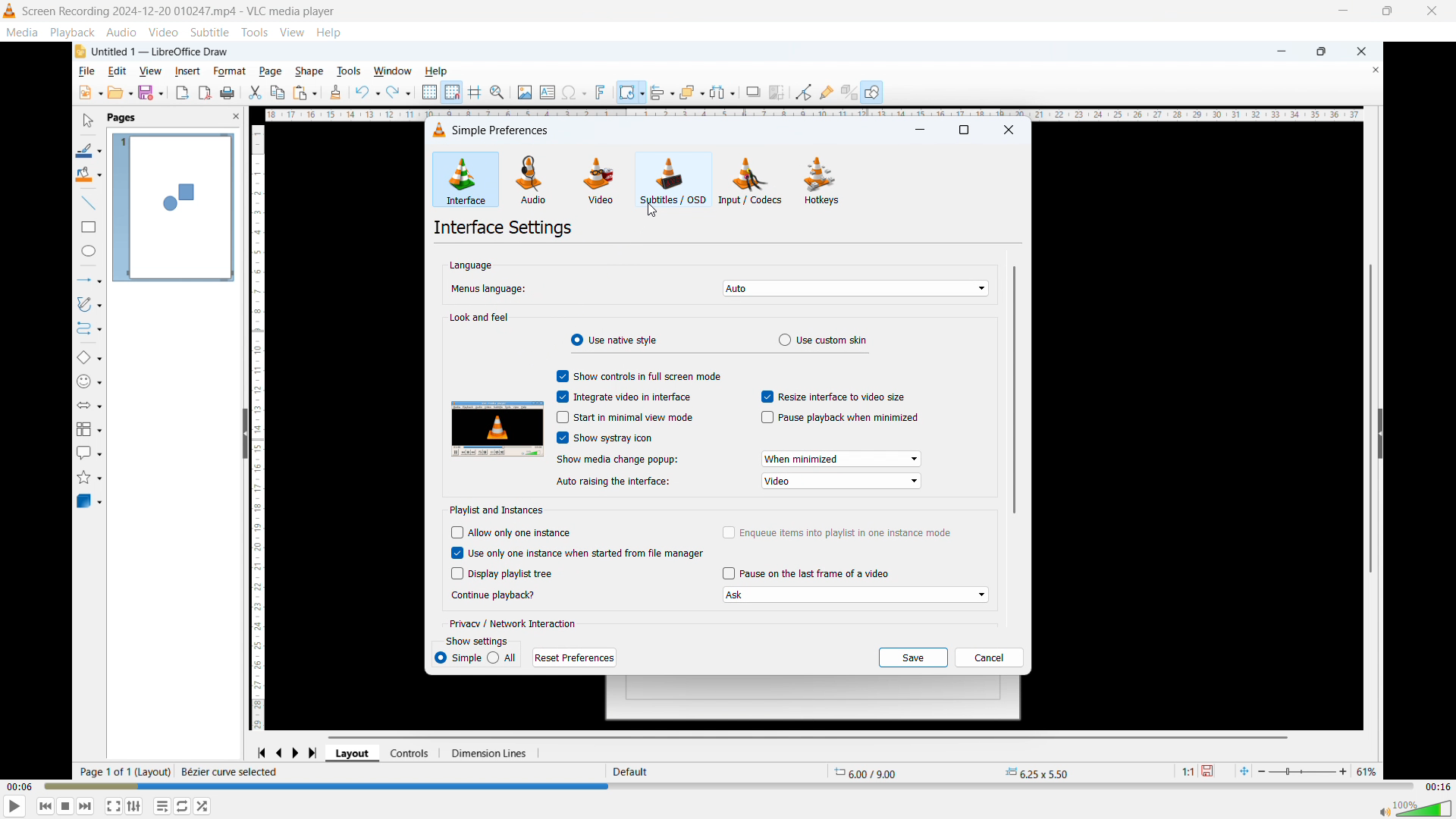 This screenshot has width=1456, height=819. What do you see at coordinates (183, 806) in the screenshot?
I see `Show advanced settings ` at bounding box center [183, 806].